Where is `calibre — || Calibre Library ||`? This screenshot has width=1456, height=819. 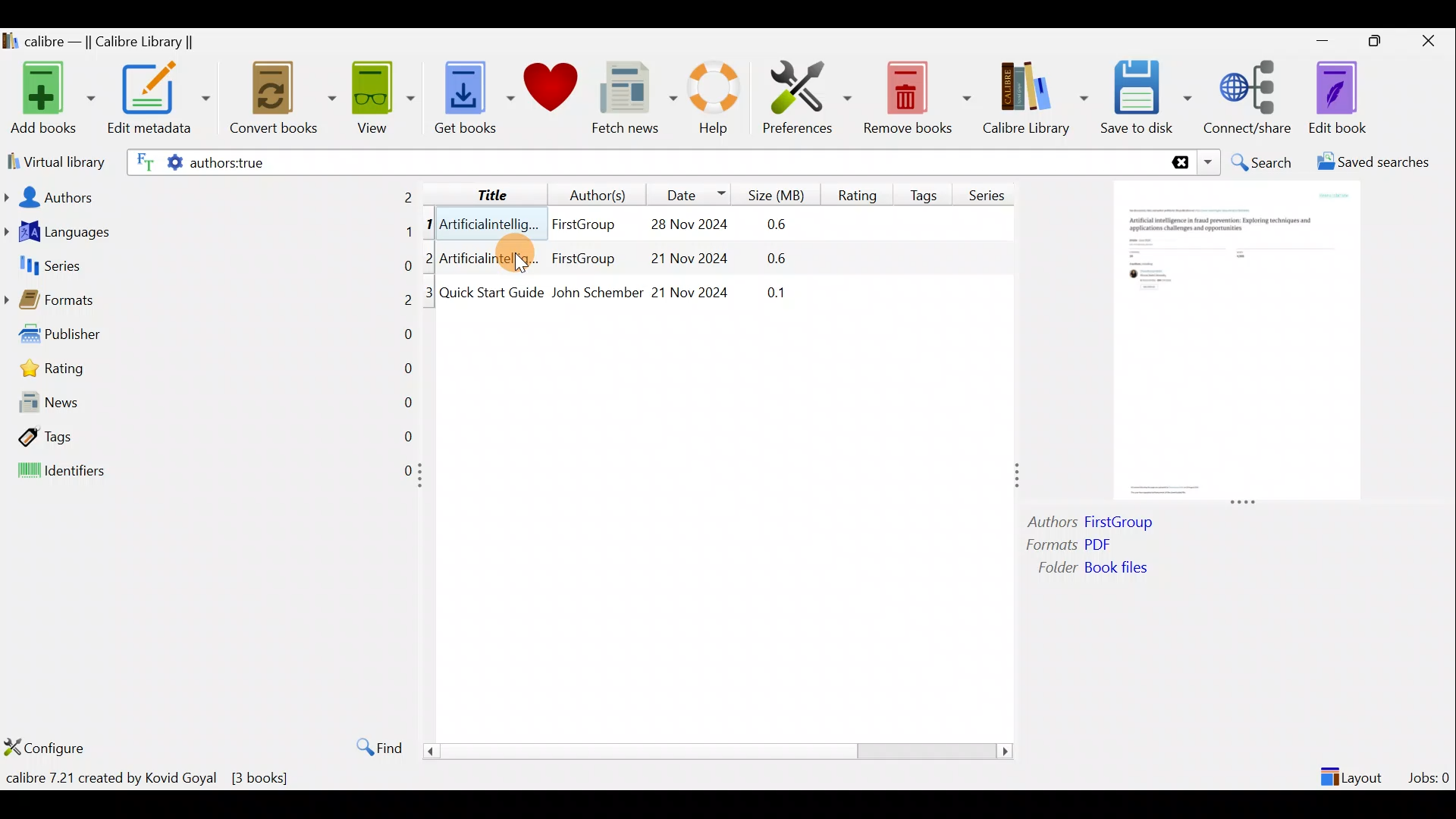 calibre — || Calibre Library || is located at coordinates (101, 42).